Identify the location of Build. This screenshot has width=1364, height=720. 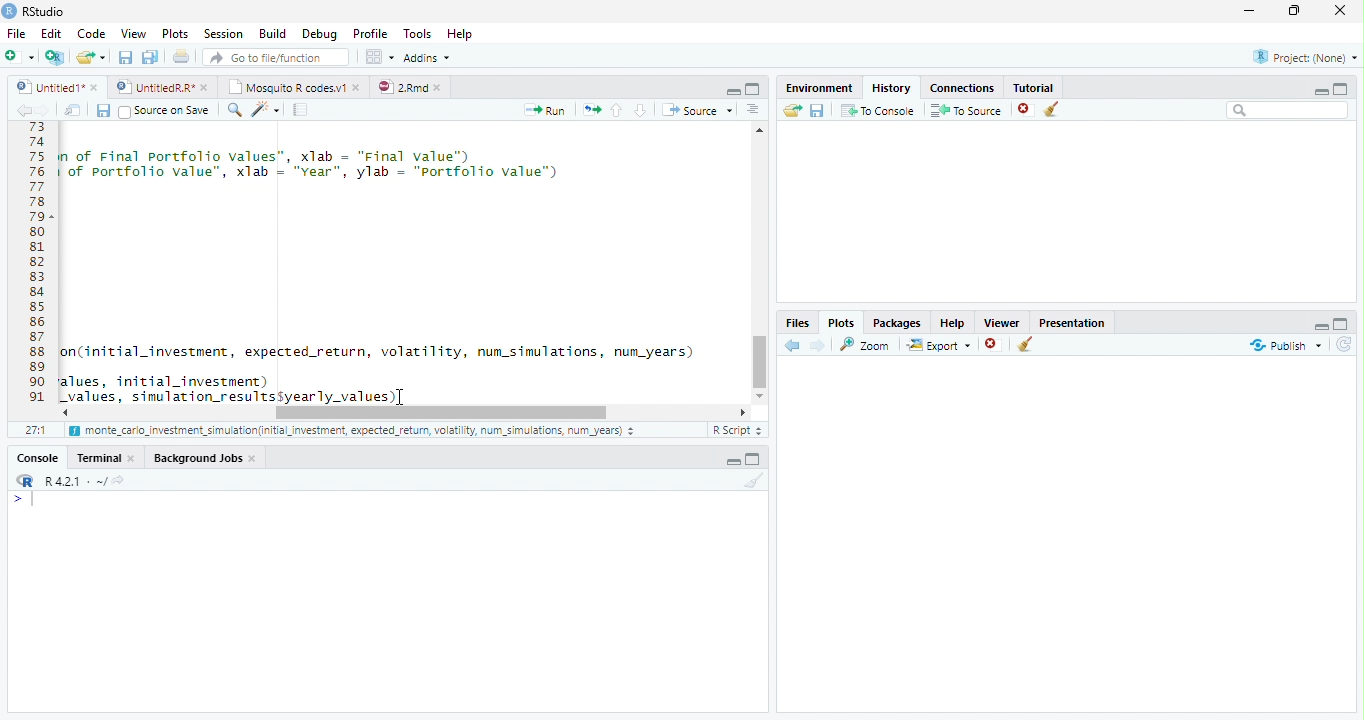
(273, 34).